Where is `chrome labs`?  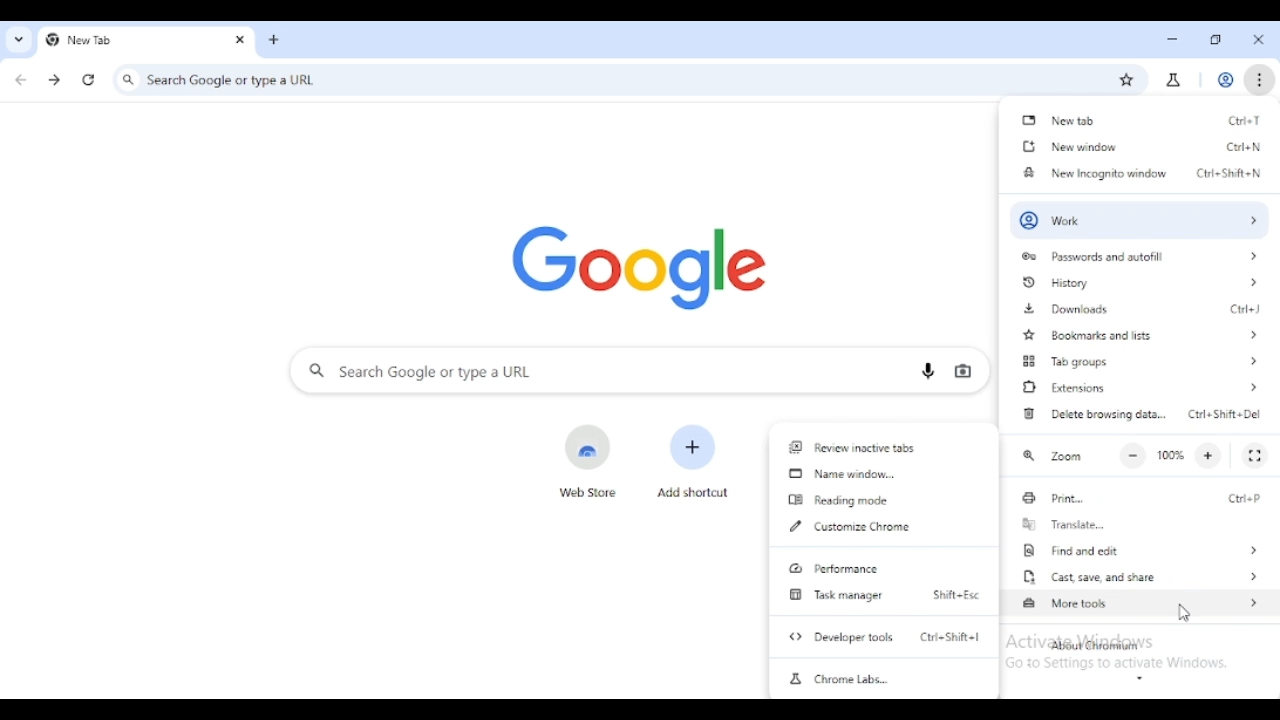 chrome labs is located at coordinates (838, 679).